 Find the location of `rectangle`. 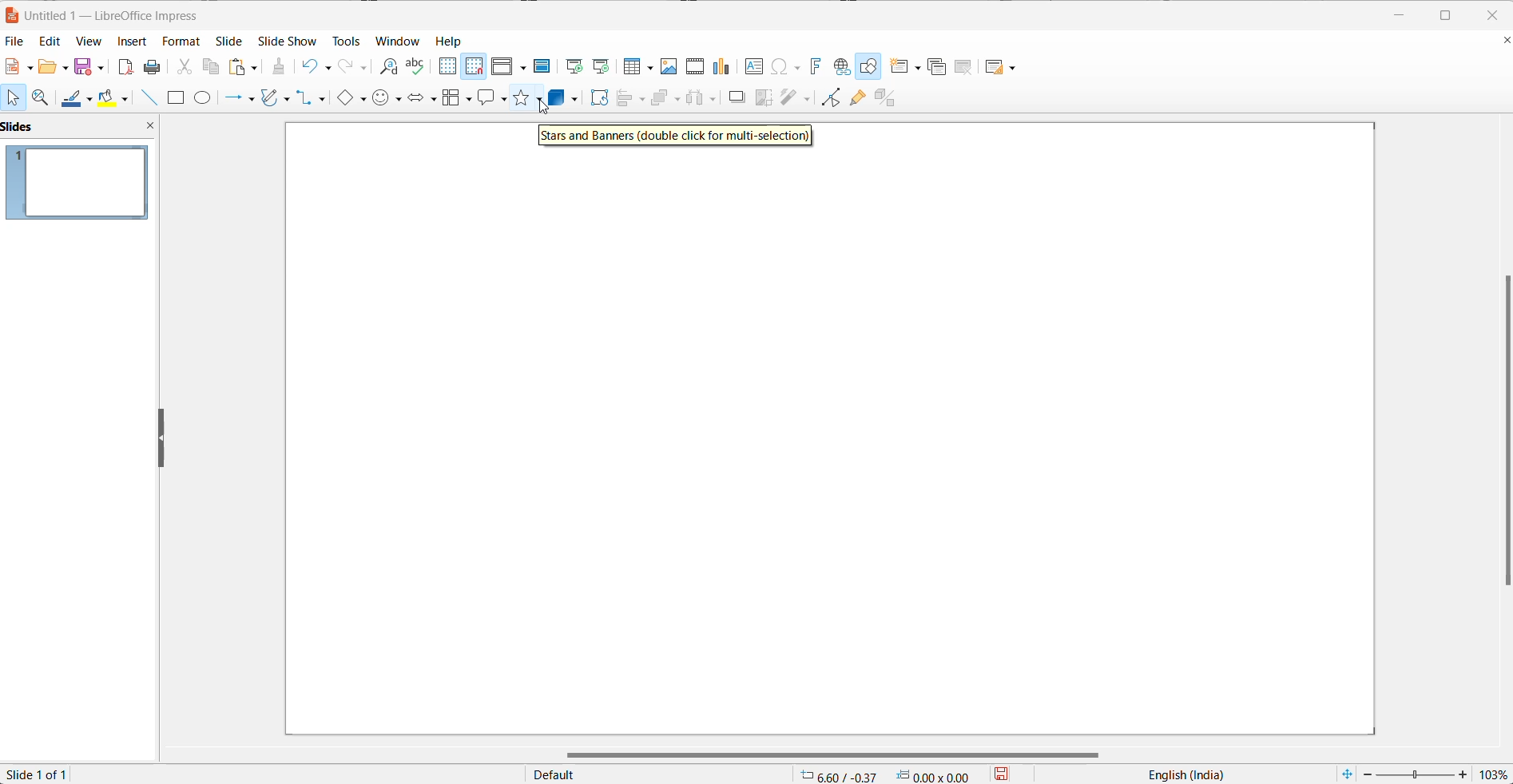

rectangle is located at coordinates (178, 99).